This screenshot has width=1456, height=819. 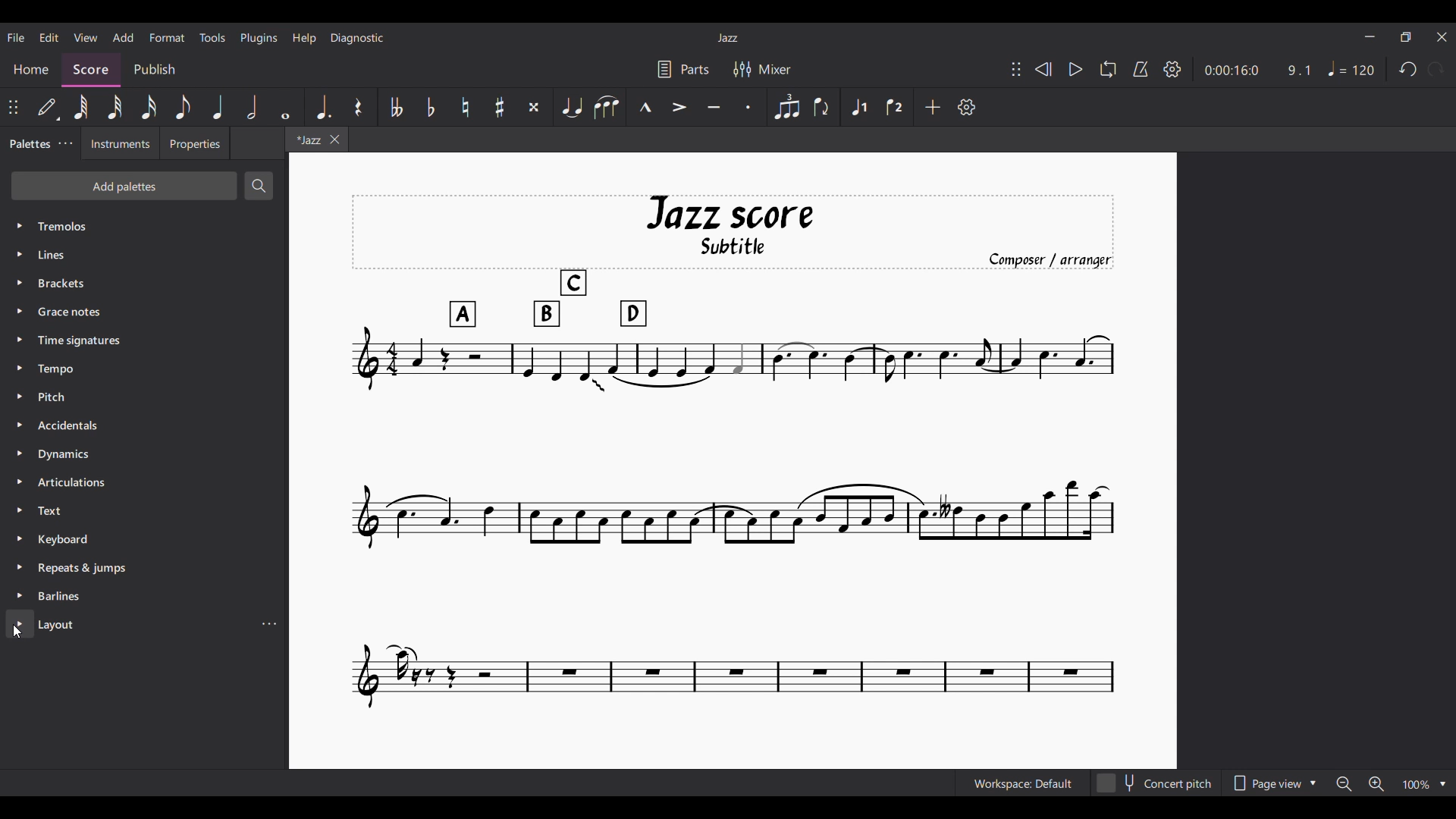 What do you see at coordinates (121, 143) in the screenshot?
I see `Instruments` at bounding box center [121, 143].